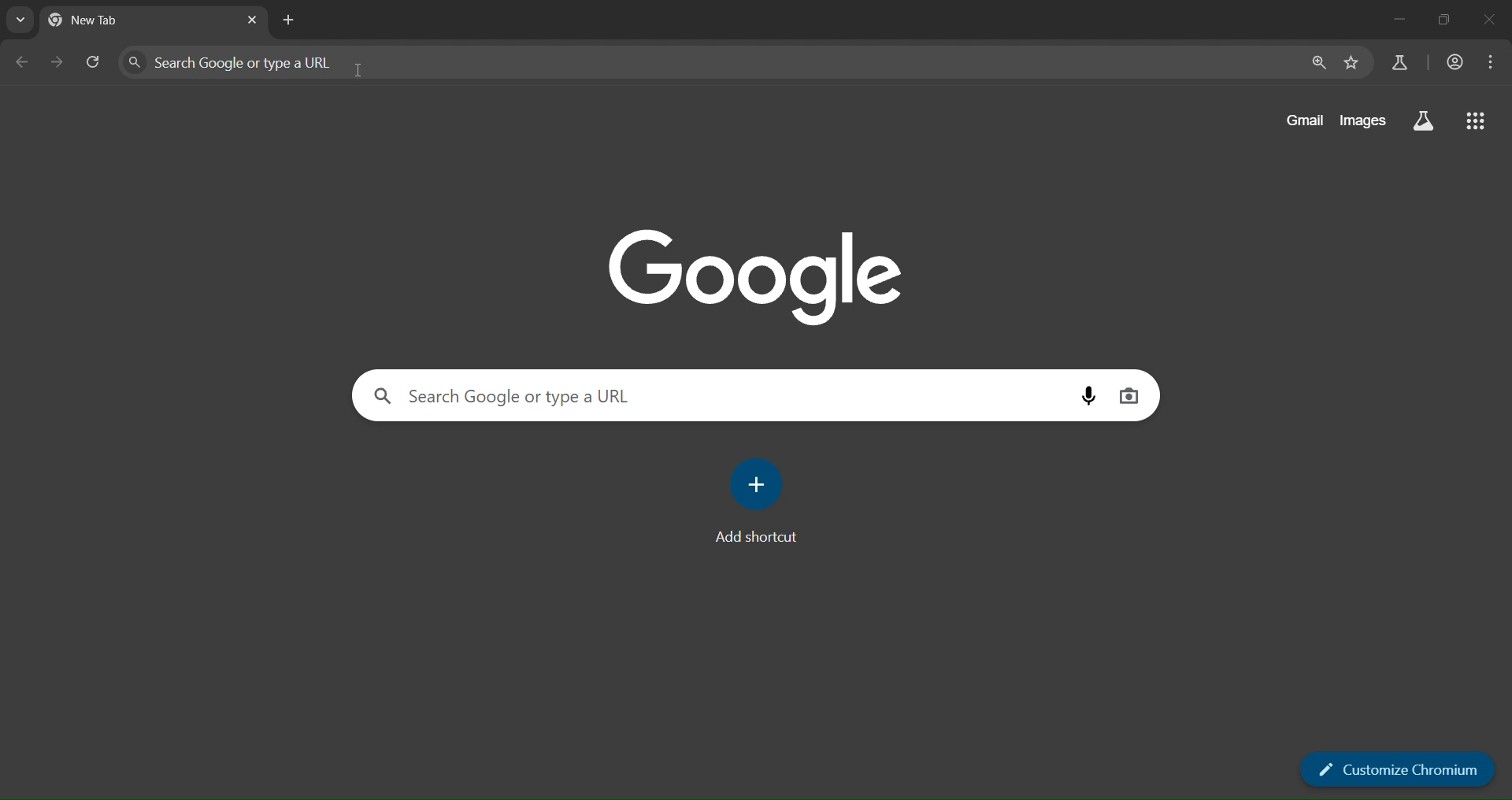 This screenshot has width=1512, height=800. What do you see at coordinates (1476, 121) in the screenshot?
I see `google apps` at bounding box center [1476, 121].